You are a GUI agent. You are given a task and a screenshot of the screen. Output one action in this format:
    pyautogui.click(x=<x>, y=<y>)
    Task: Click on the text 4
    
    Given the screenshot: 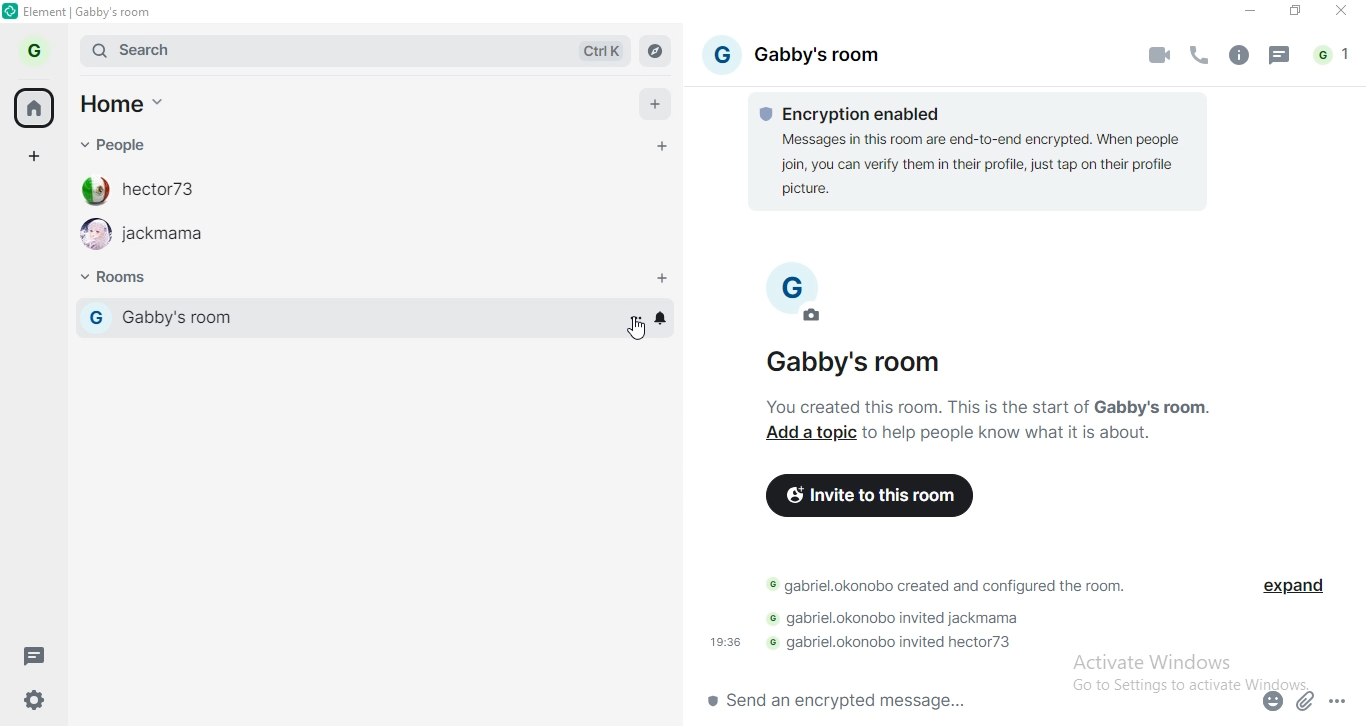 What is the action you would take?
    pyautogui.click(x=902, y=656)
    